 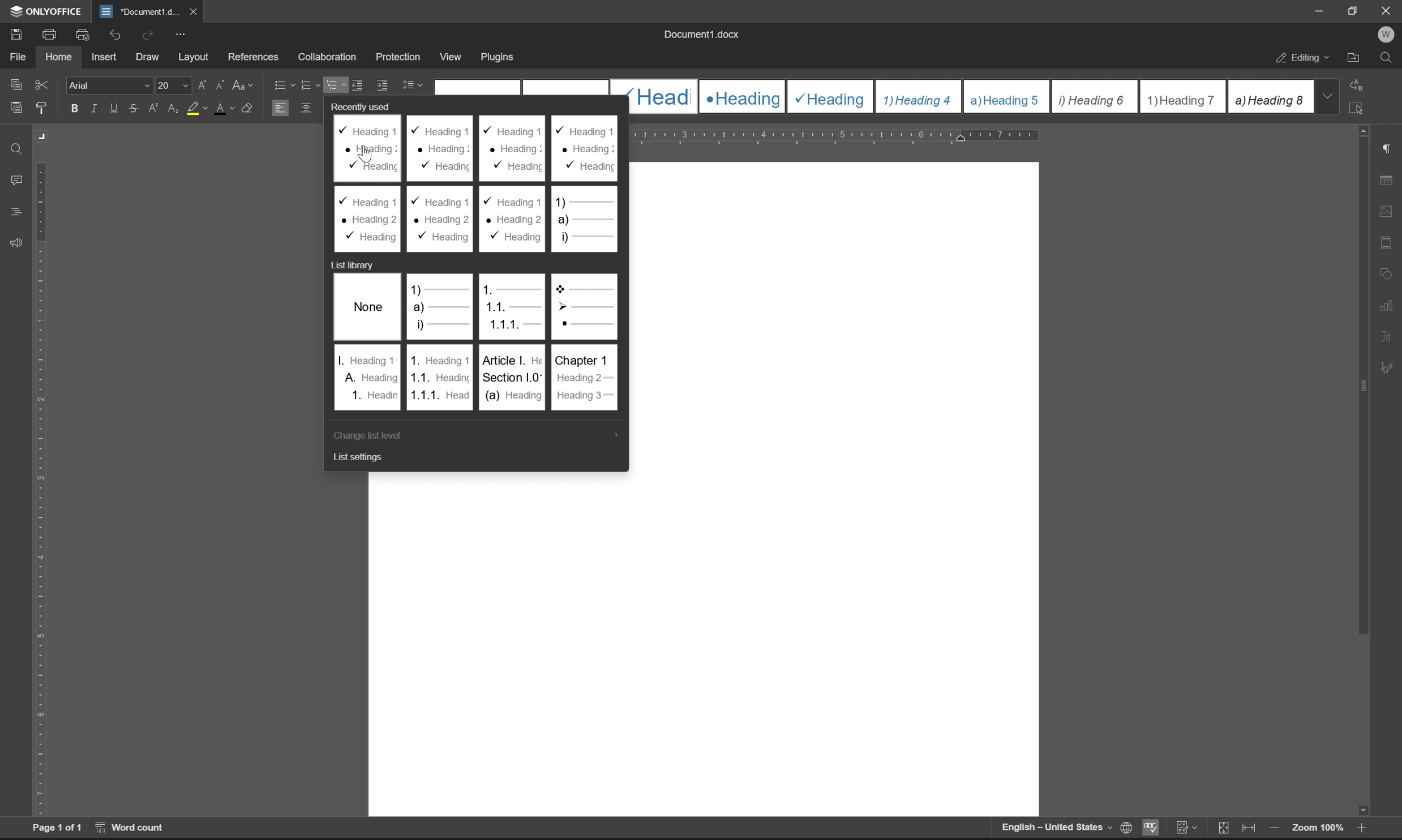 I want to click on Close, so click(x=1387, y=11).